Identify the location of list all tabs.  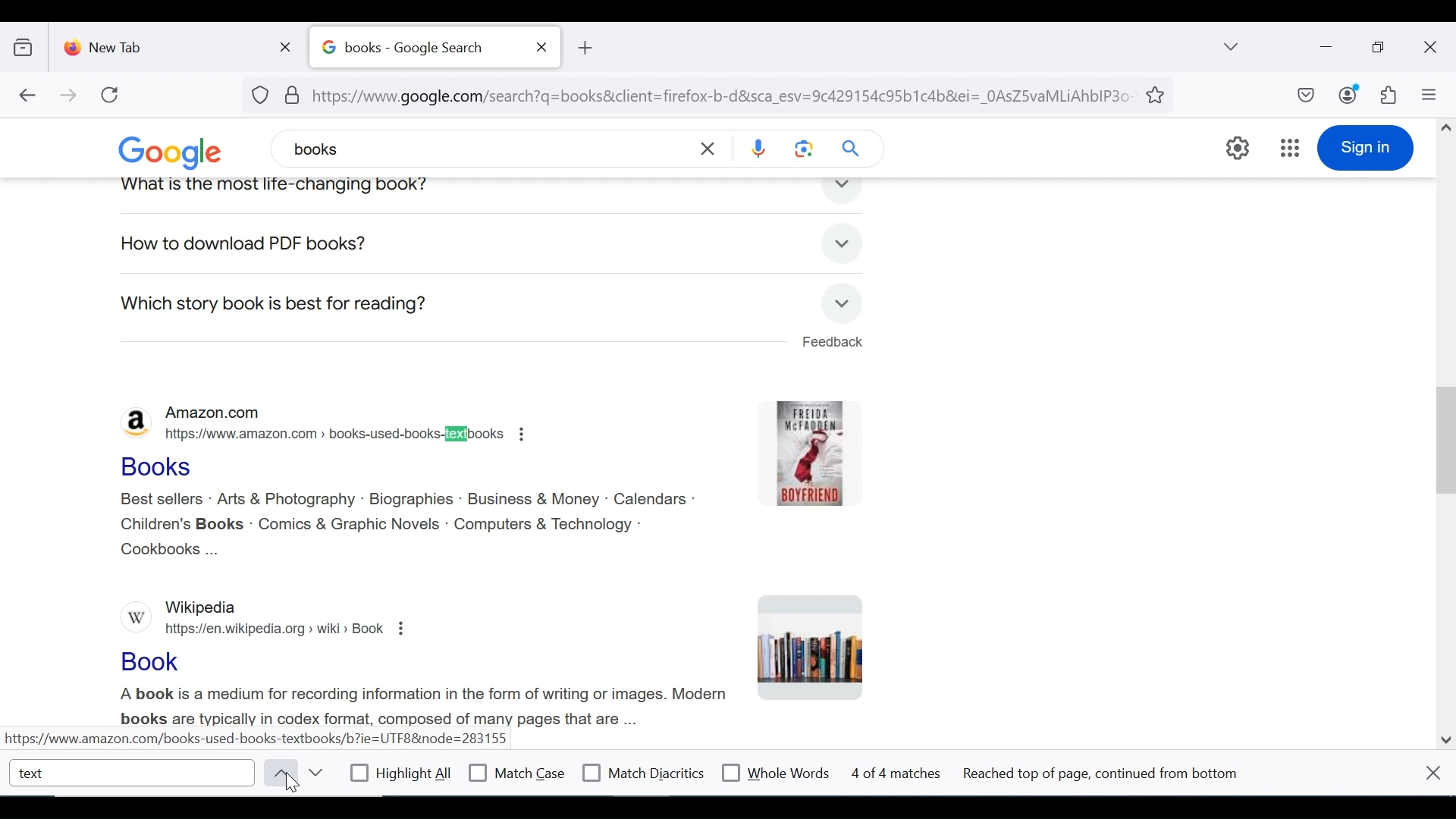
(1232, 46).